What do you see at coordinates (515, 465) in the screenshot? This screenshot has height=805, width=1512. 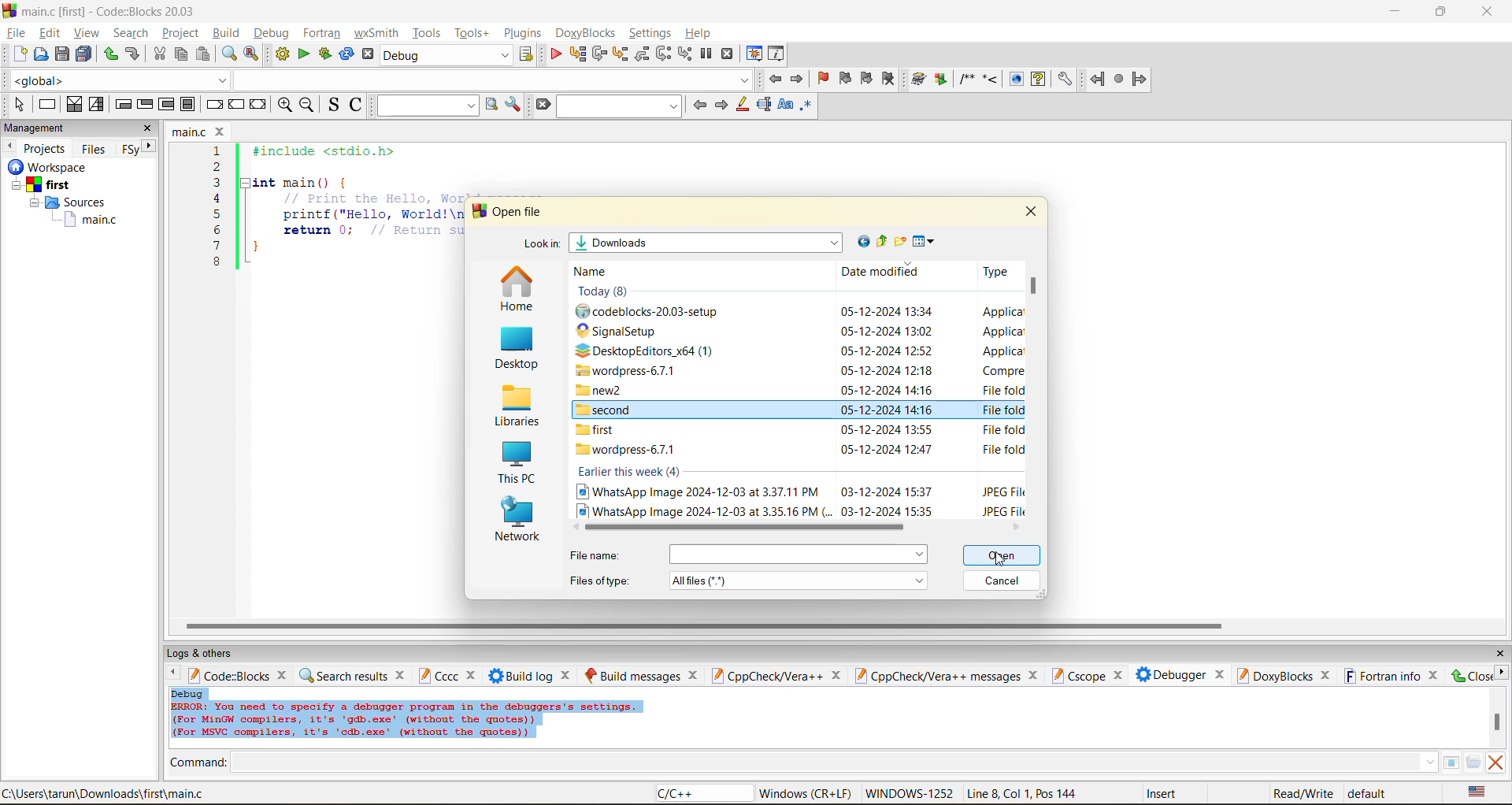 I see `this pc` at bounding box center [515, 465].